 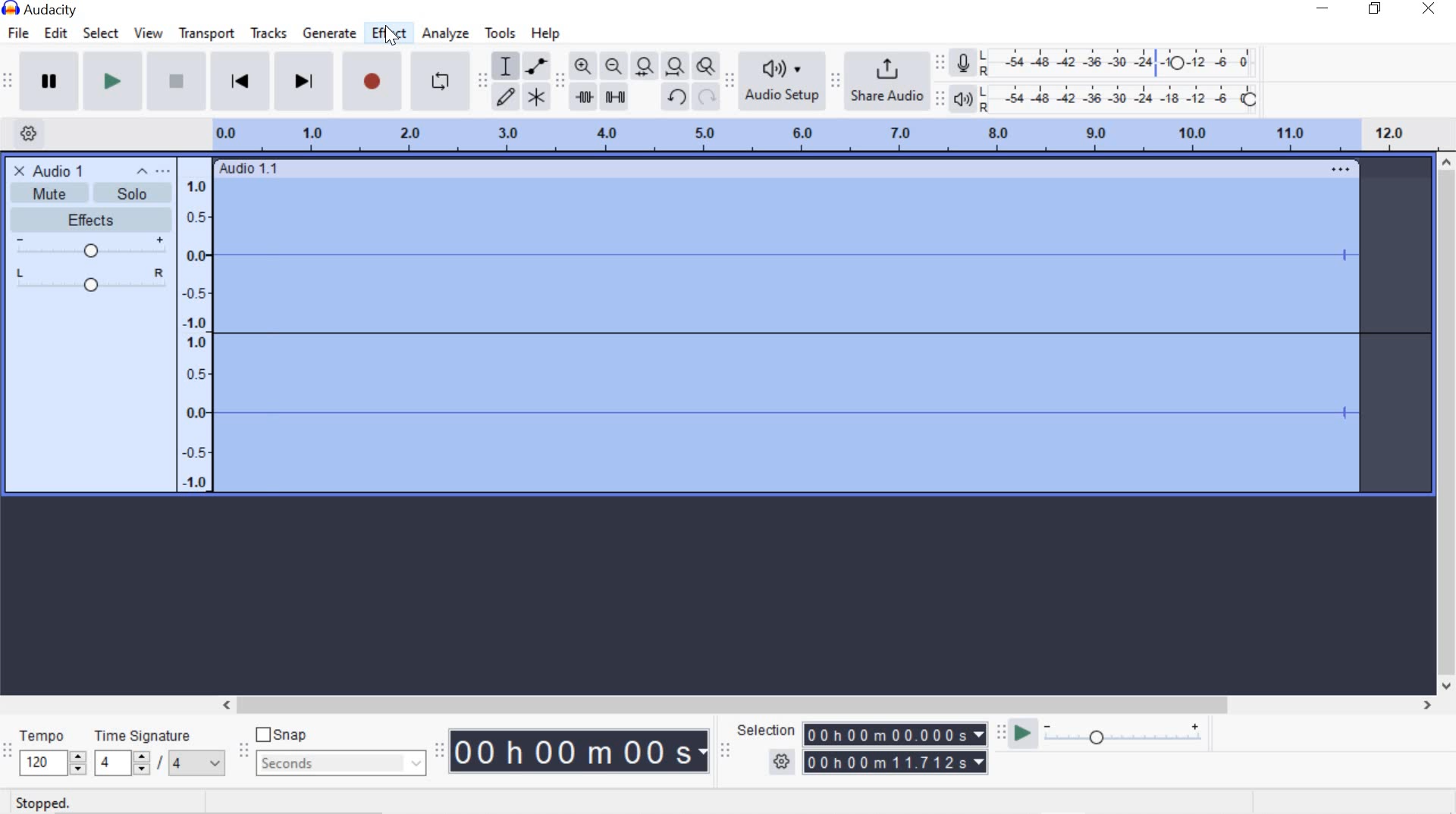 What do you see at coordinates (707, 68) in the screenshot?
I see `Zoom Toggle` at bounding box center [707, 68].